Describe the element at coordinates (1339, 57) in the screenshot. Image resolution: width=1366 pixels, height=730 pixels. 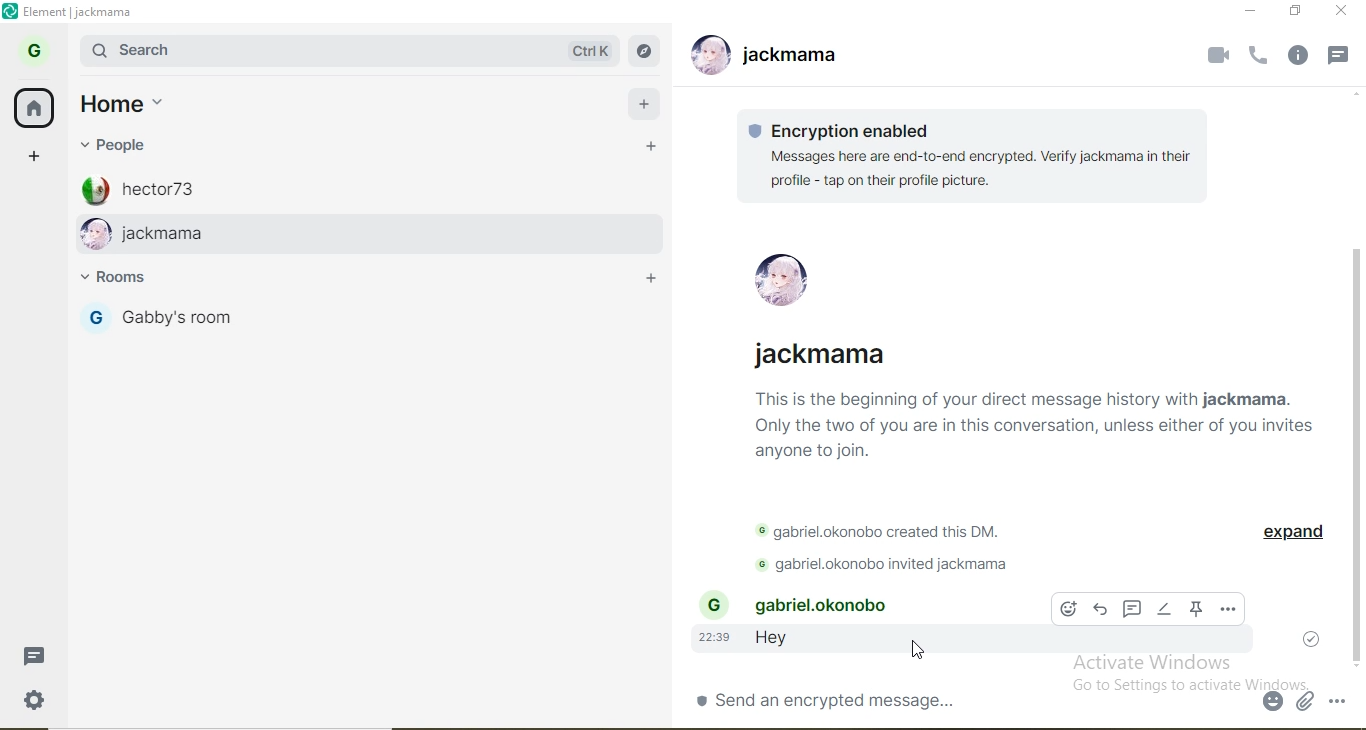
I see `message` at that location.